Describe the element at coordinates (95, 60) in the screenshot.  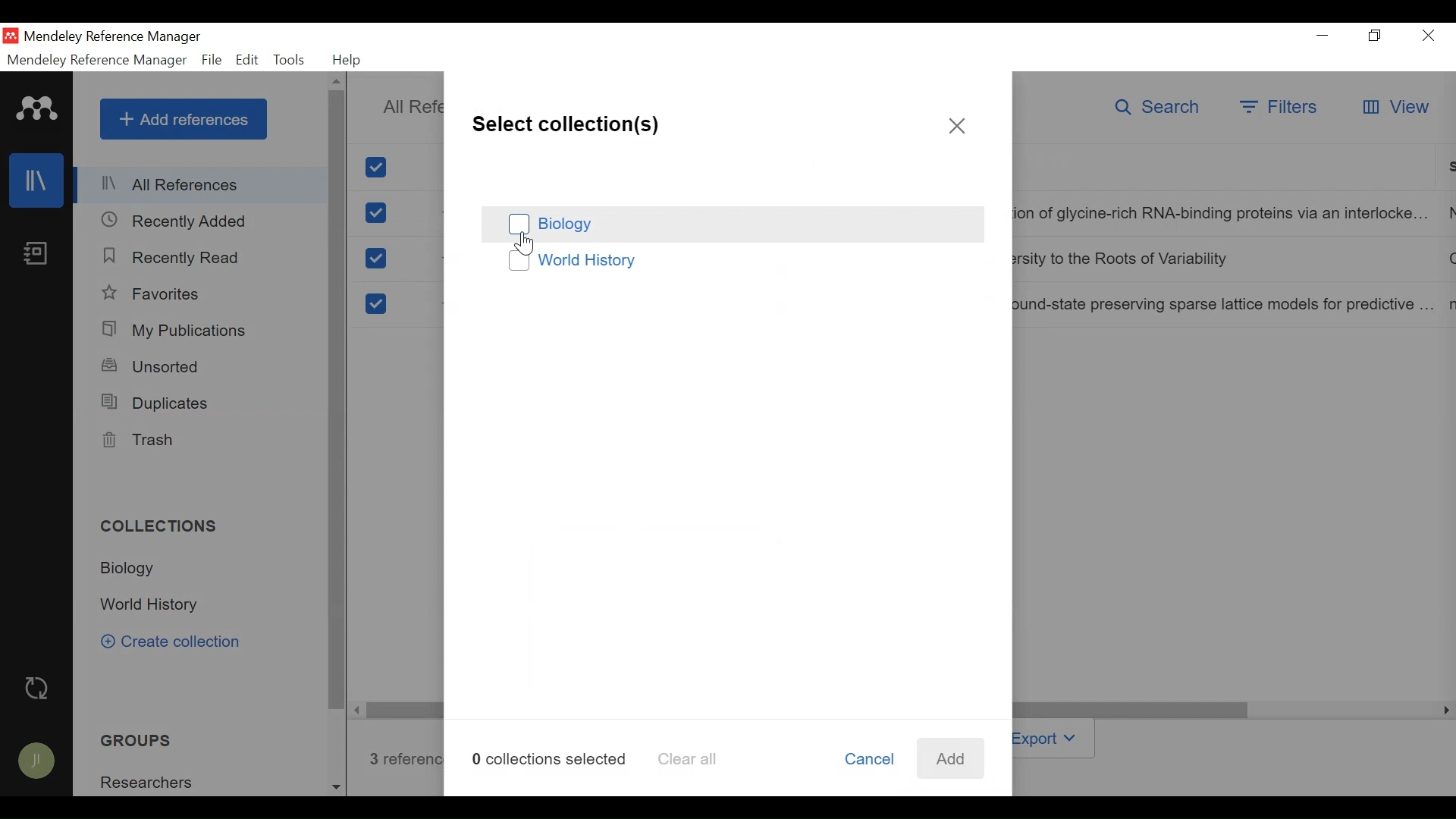
I see `Mendeley Reference Manager` at that location.